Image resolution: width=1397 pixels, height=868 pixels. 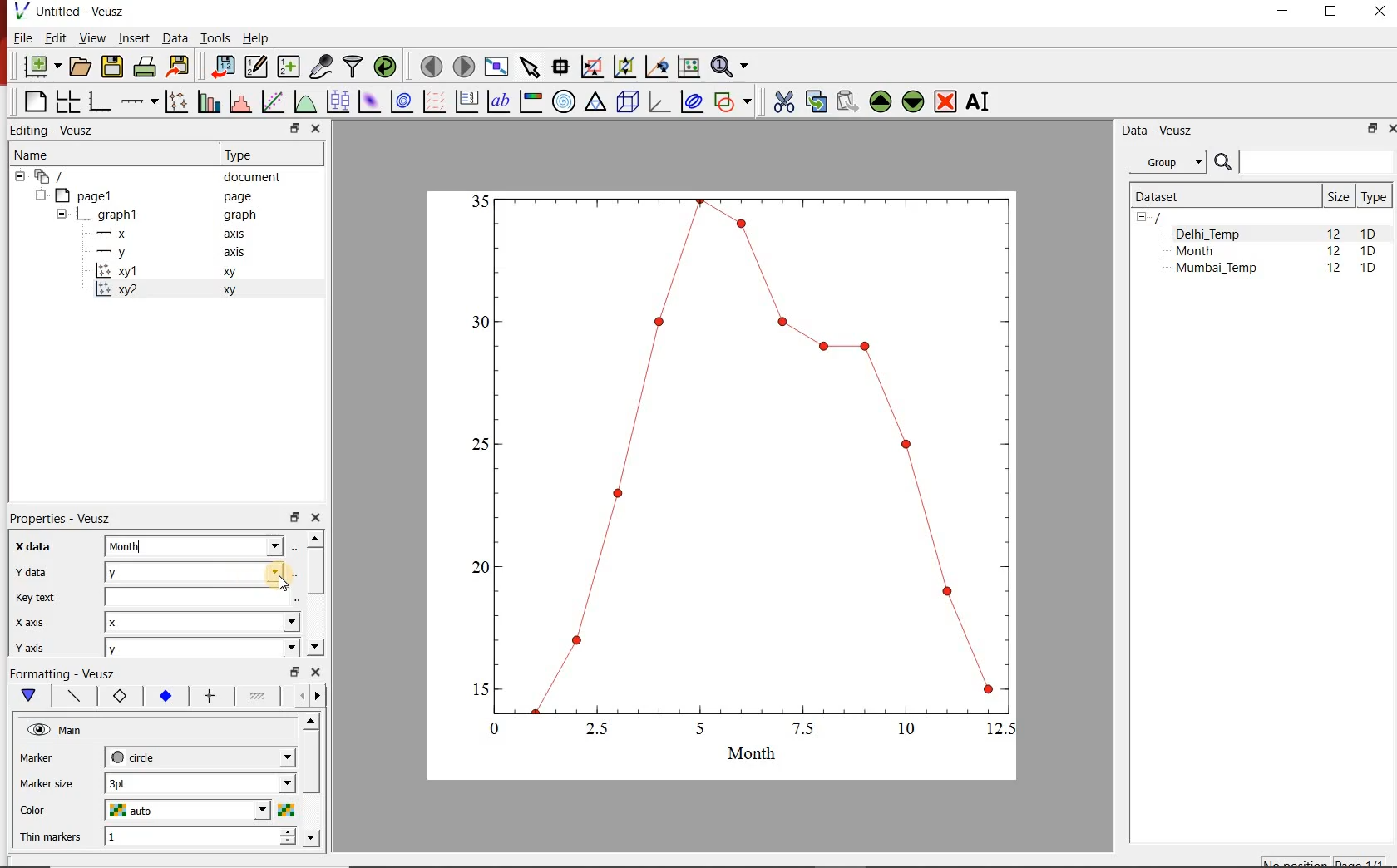 What do you see at coordinates (221, 67) in the screenshot?
I see `import data into Veusz` at bounding box center [221, 67].